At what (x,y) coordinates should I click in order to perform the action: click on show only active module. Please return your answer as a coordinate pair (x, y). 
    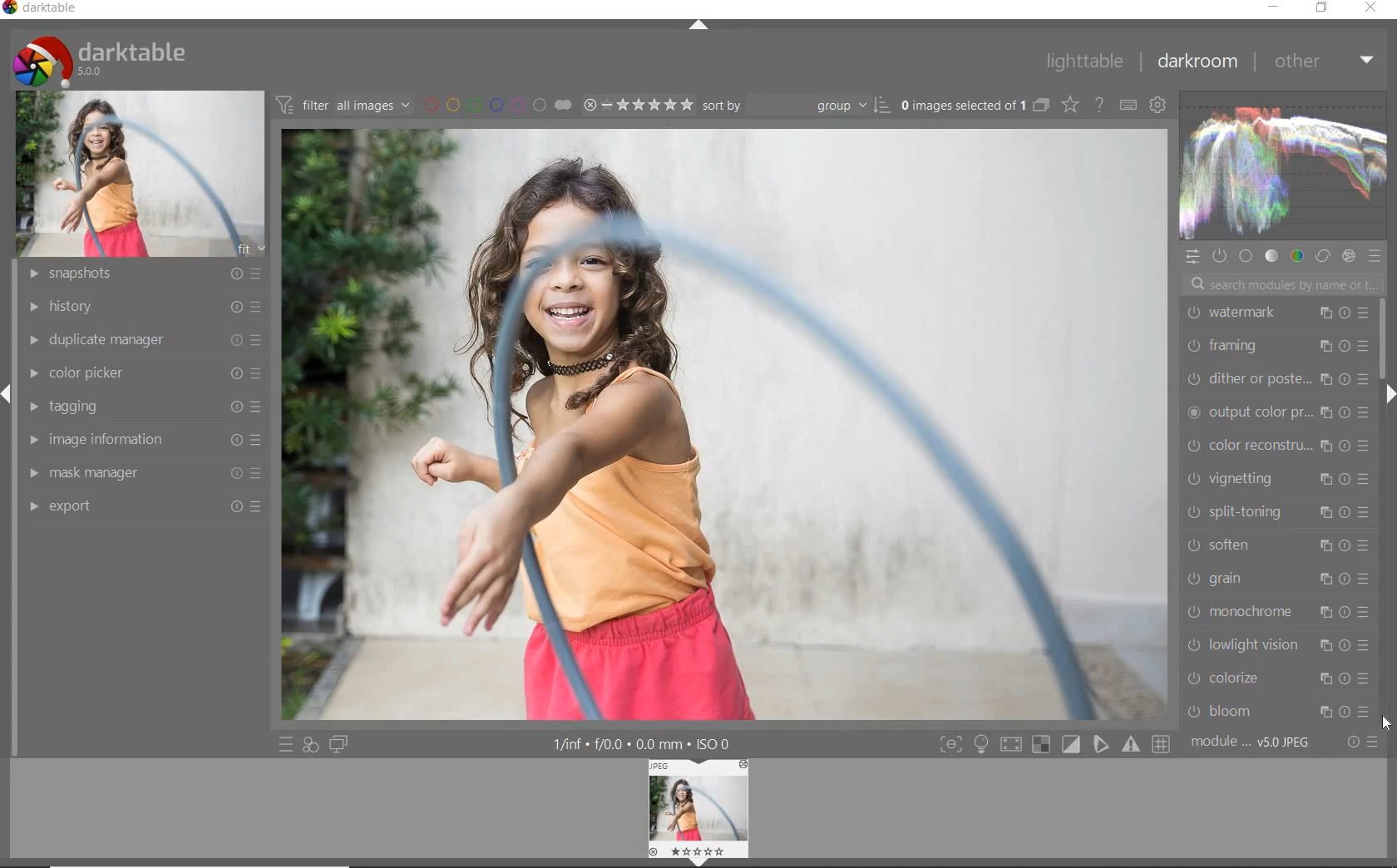
    Looking at the image, I should click on (1221, 257).